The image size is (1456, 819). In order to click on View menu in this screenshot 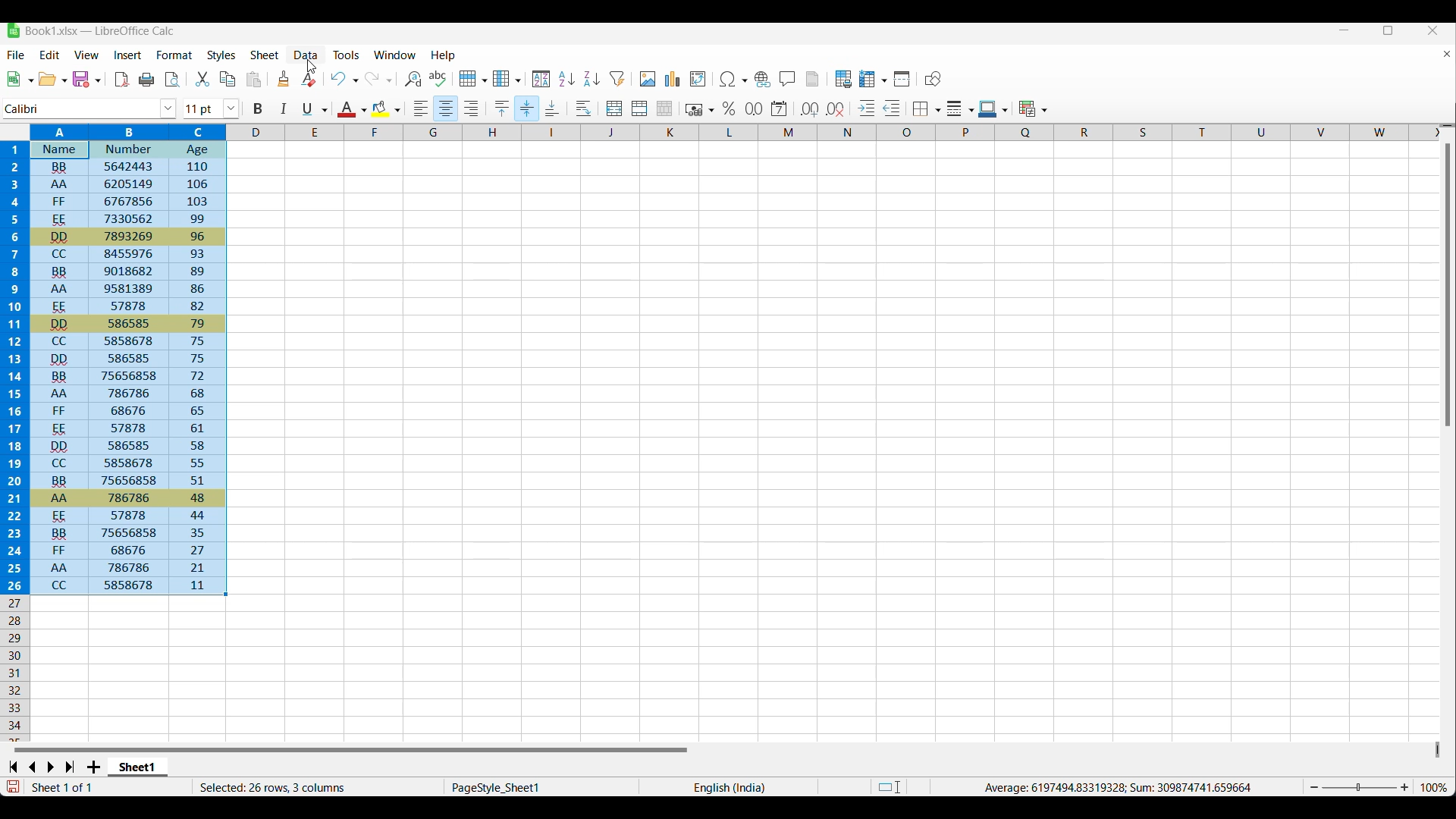, I will do `click(86, 55)`.